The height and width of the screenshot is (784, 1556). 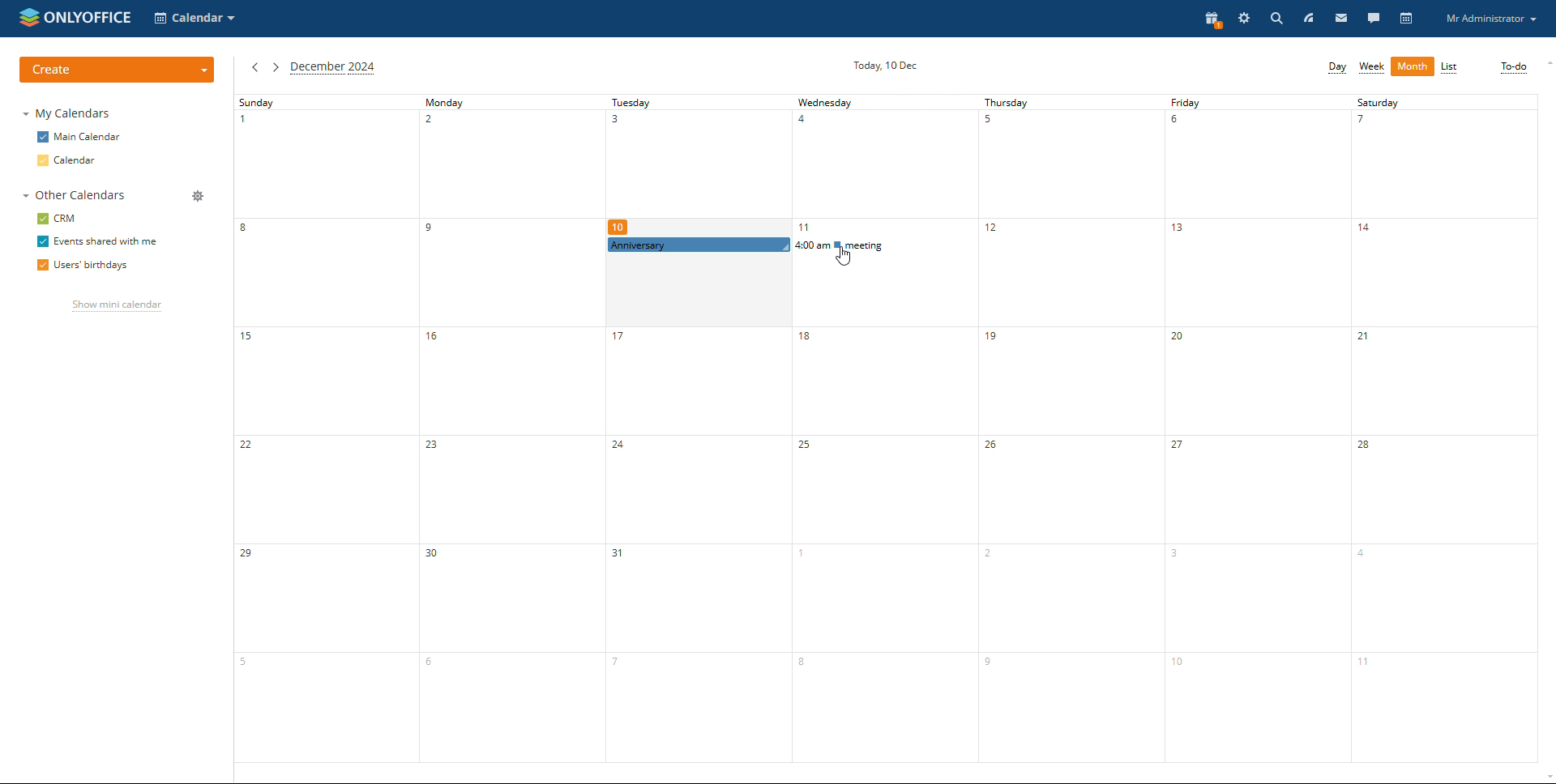 I want to click on list view, so click(x=1450, y=68).